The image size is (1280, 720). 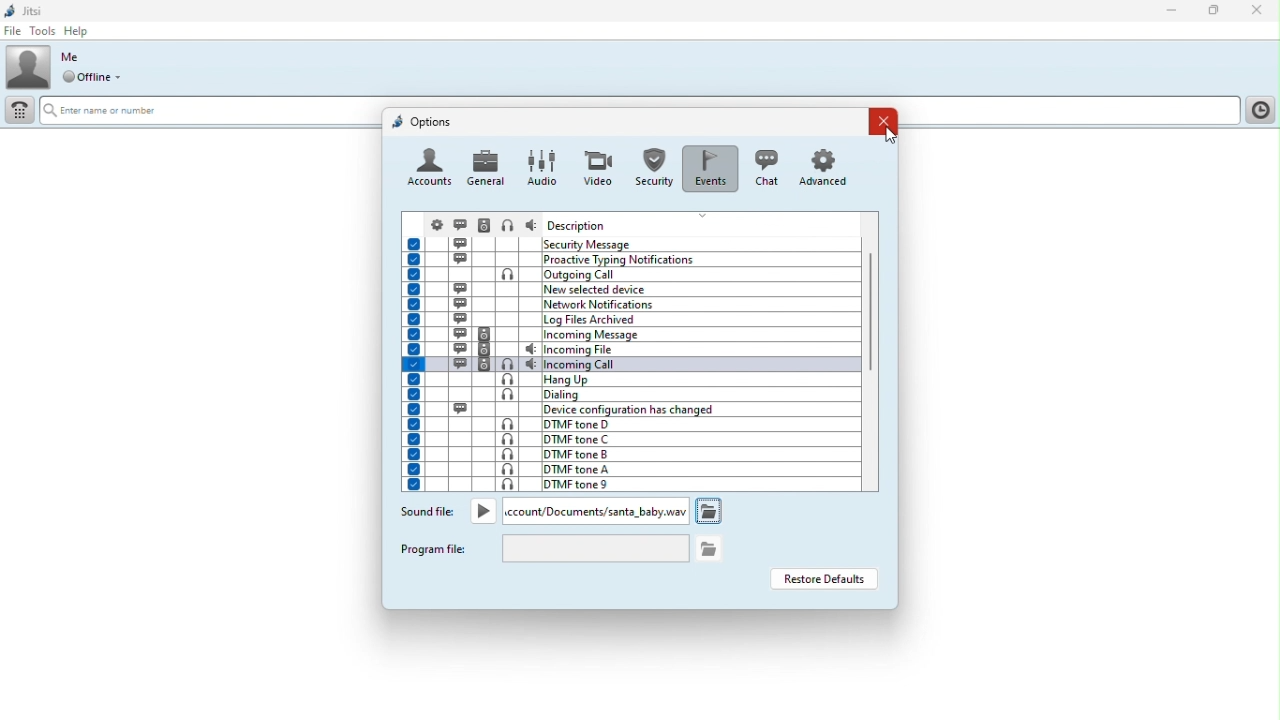 I want to click on outgoing call, so click(x=629, y=274).